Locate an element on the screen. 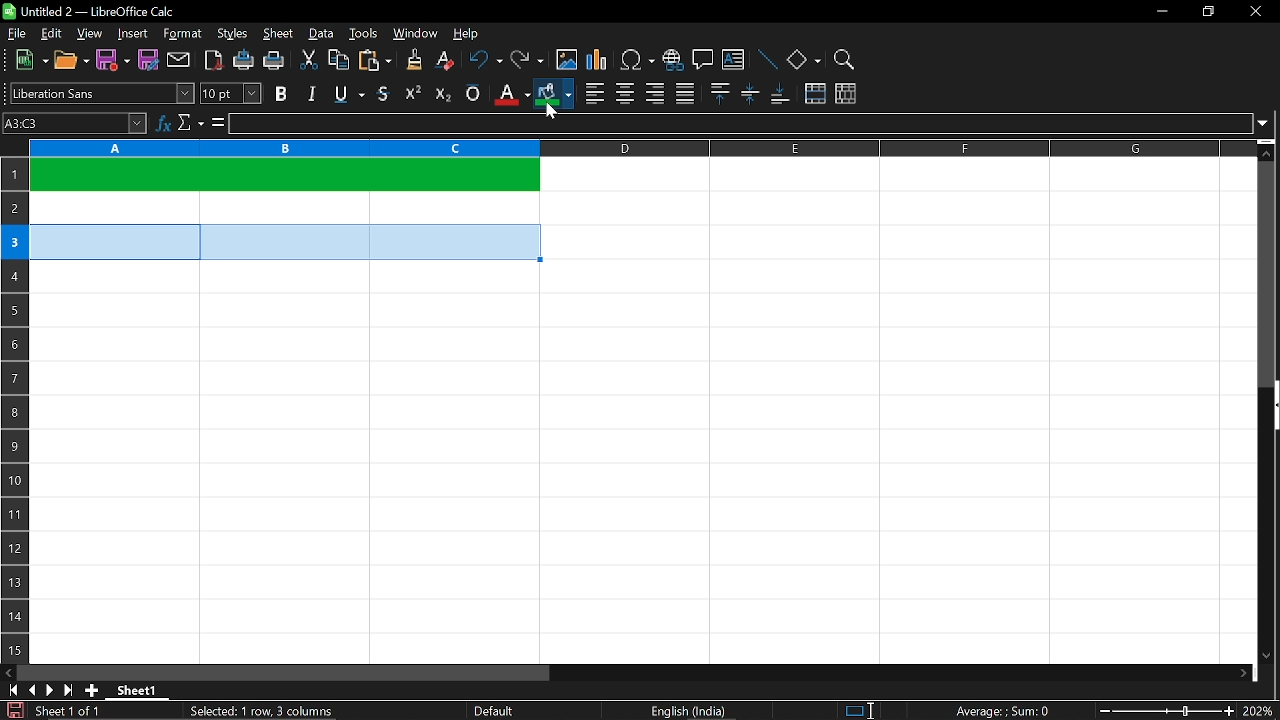 The width and height of the screenshot is (1280, 720). Name box is located at coordinates (75, 124).